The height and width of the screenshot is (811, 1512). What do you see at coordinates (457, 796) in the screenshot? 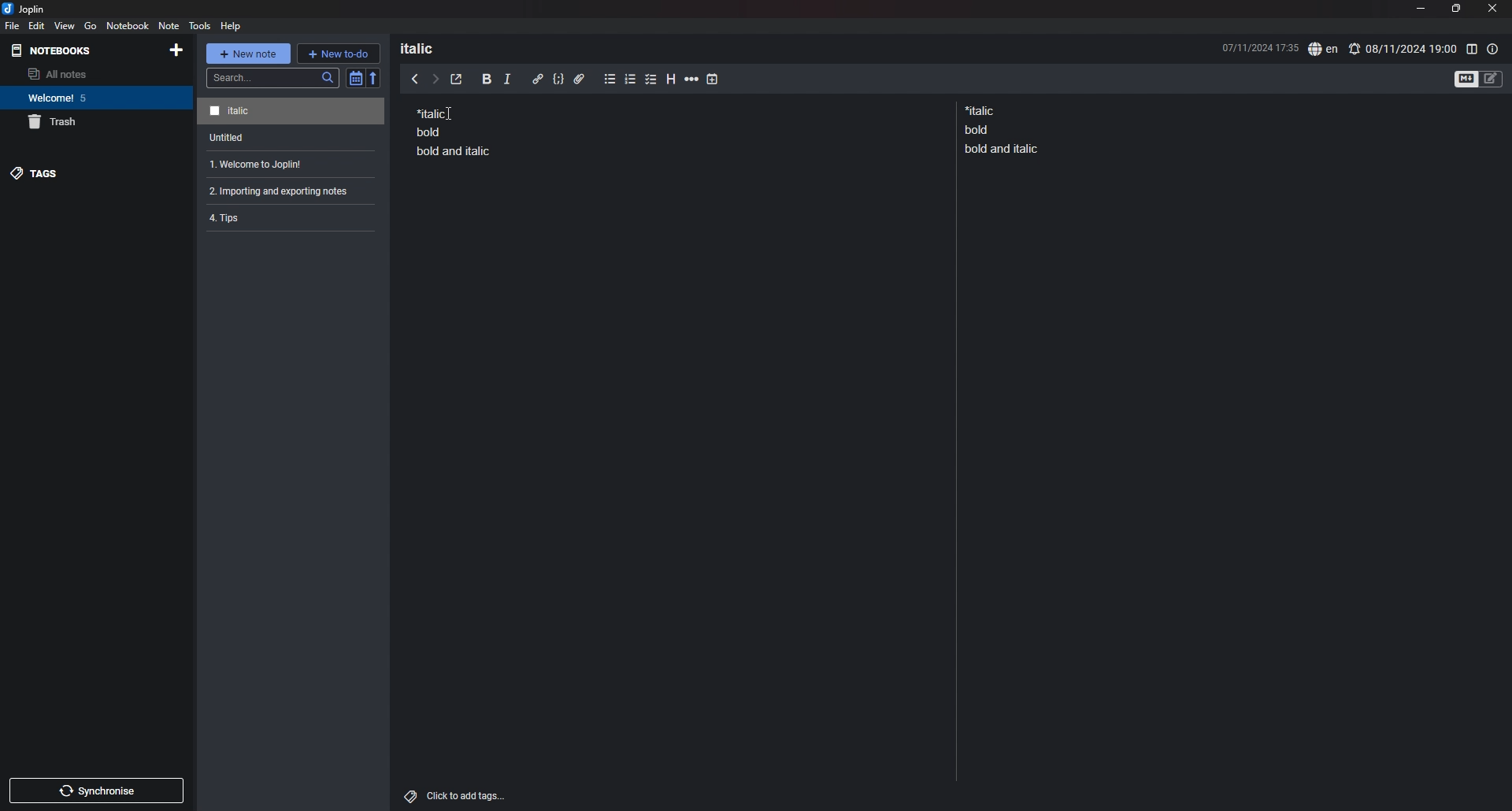
I see `add tags` at bounding box center [457, 796].